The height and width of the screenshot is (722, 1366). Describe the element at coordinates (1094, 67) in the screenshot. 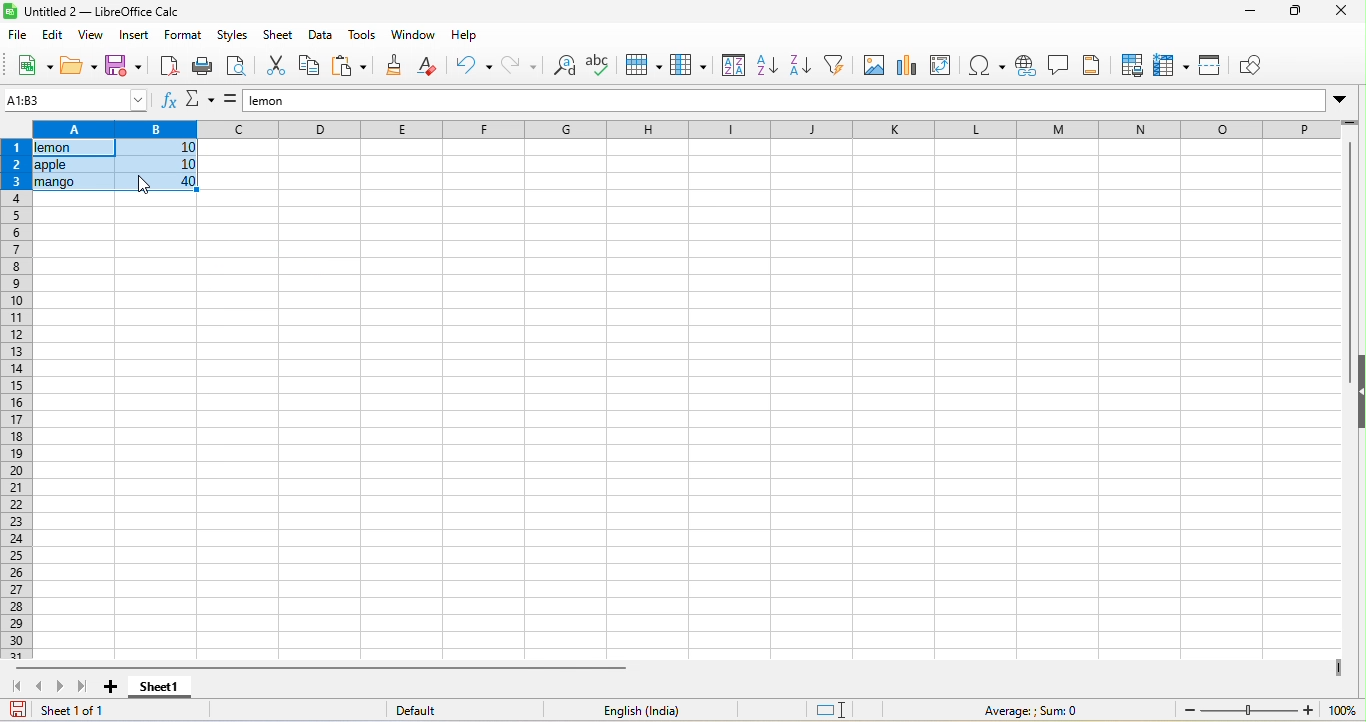

I see `header and footers` at that location.